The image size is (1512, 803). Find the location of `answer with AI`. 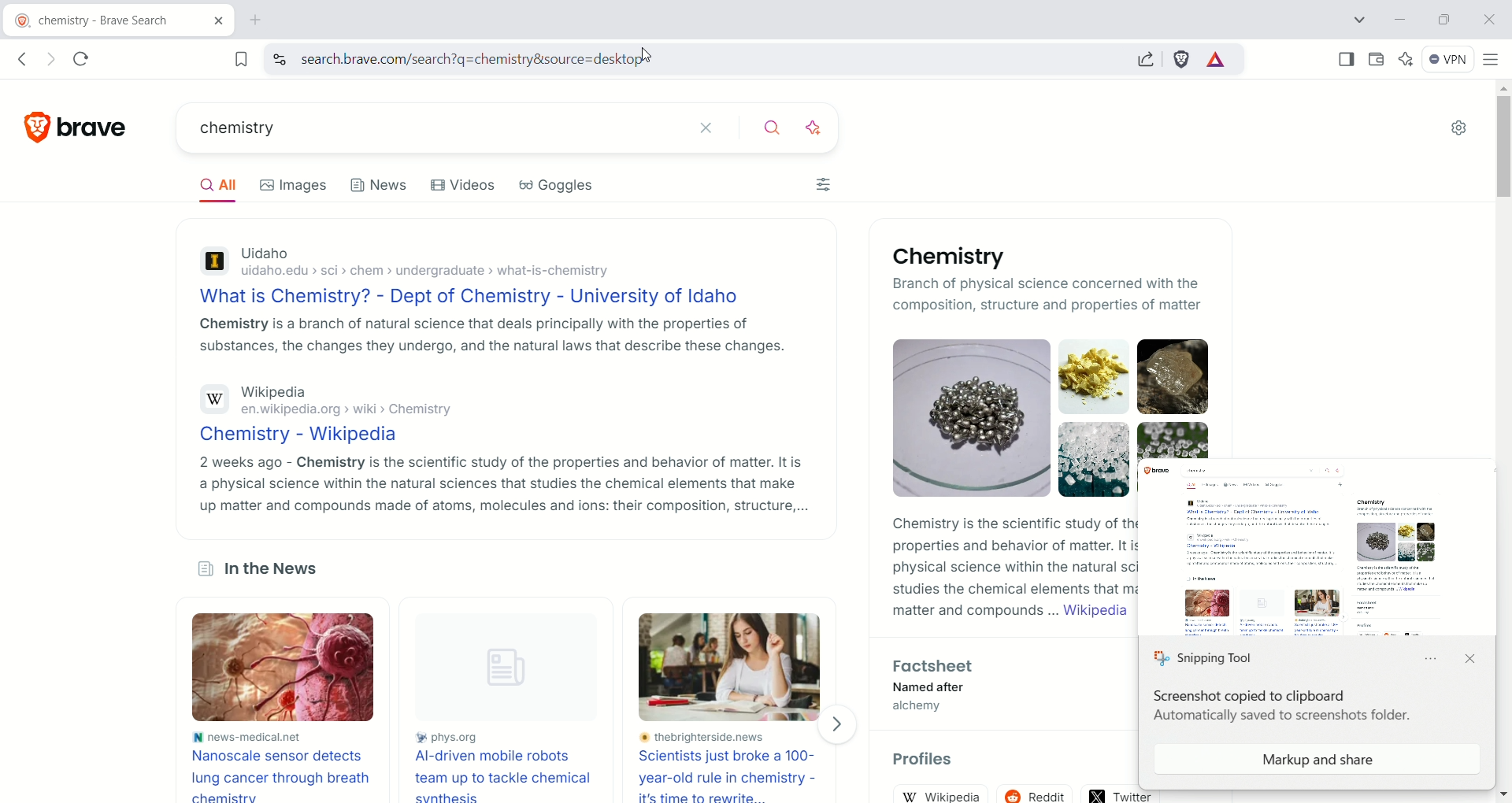

answer with AI is located at coordinates (823, 125).